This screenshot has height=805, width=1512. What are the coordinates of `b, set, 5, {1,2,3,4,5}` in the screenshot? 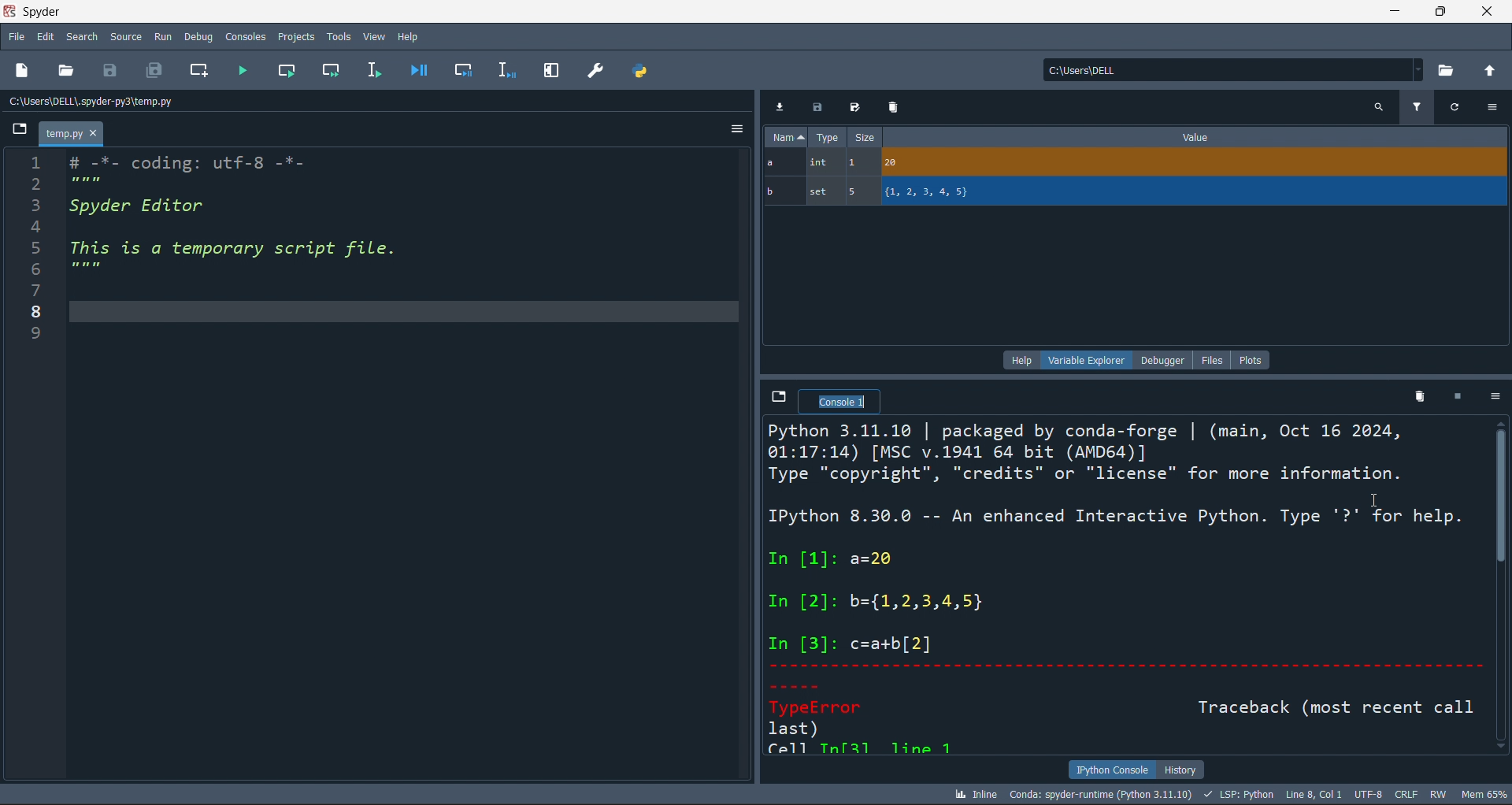 It's located at (1136, 193).